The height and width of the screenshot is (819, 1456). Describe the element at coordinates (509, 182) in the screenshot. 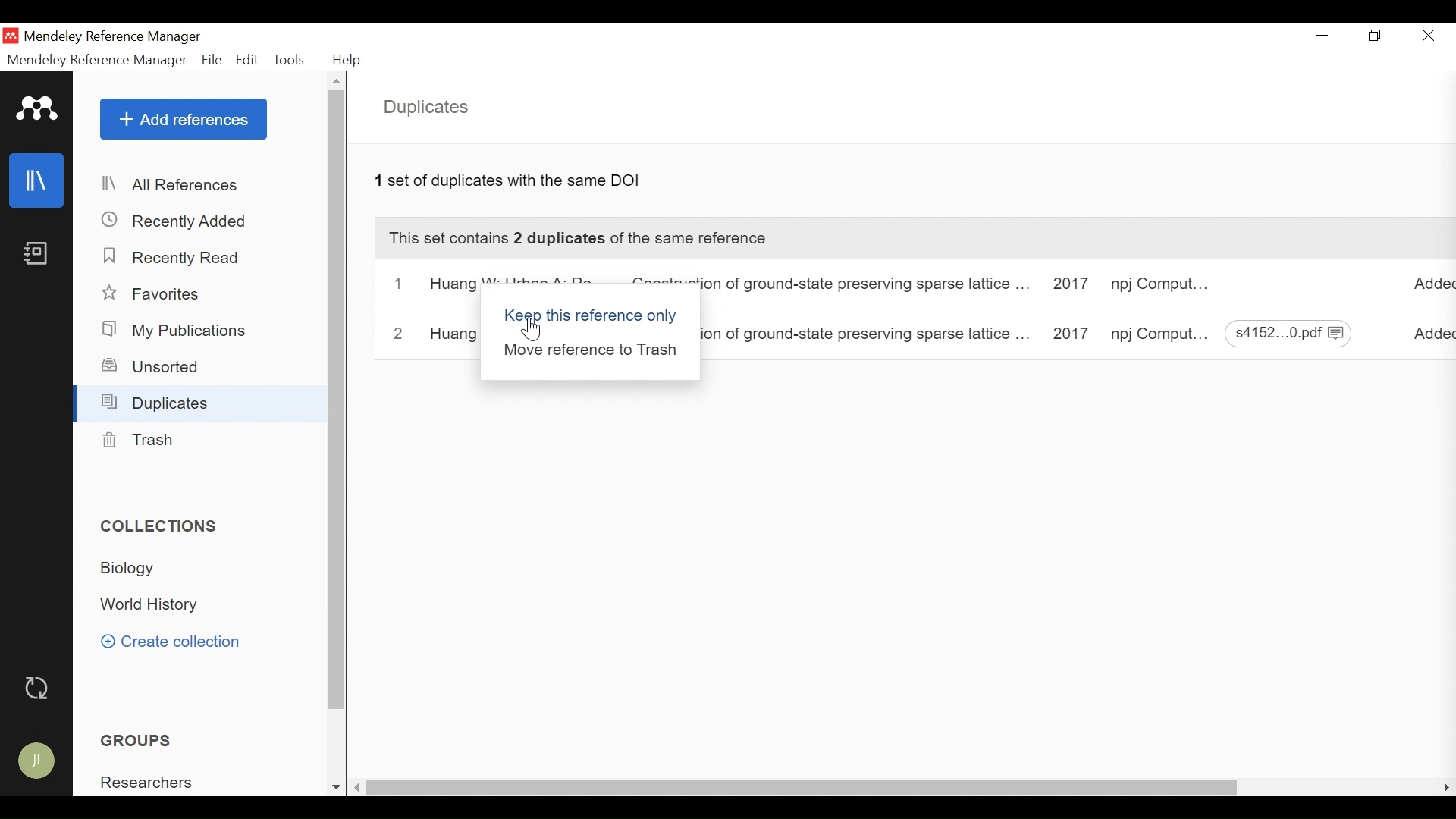

I see `Number of Duplicates with the type of metadata` at that location.